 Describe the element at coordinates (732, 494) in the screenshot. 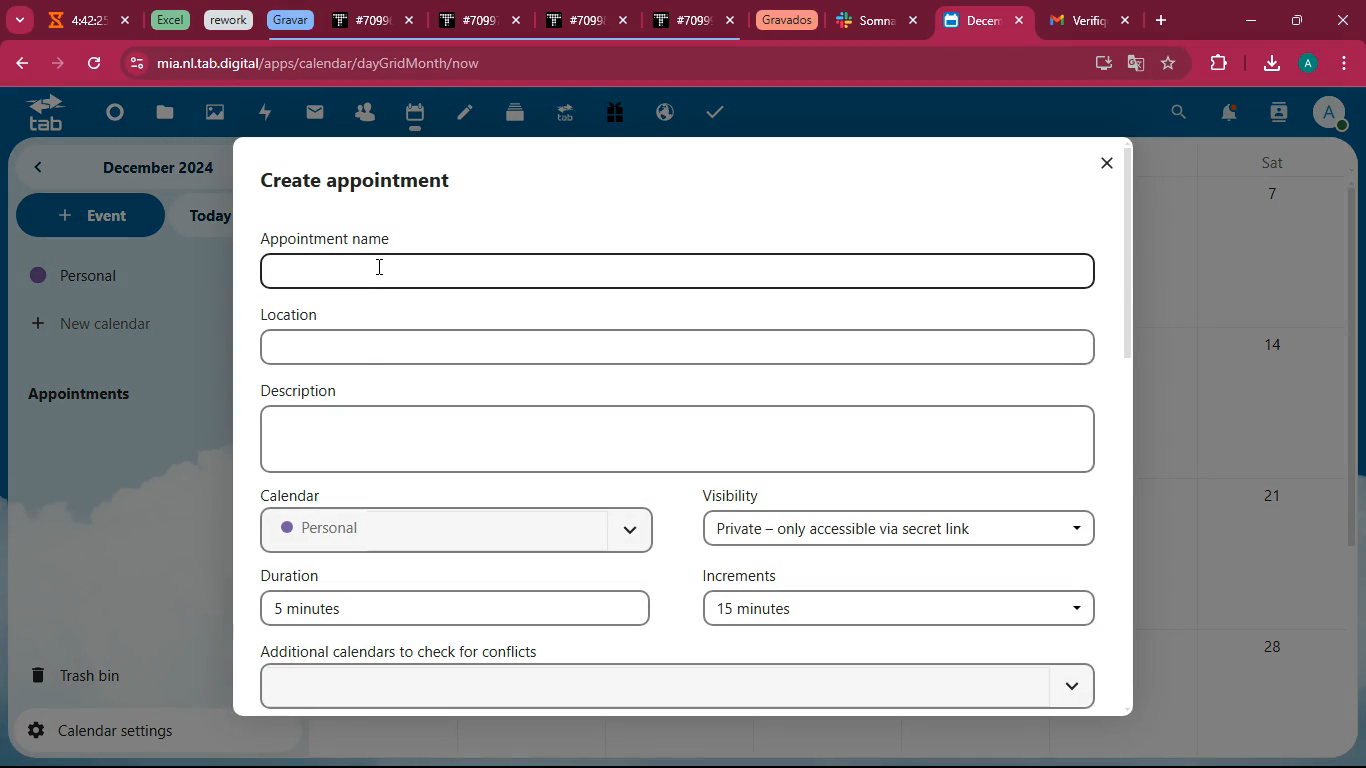

I see `visibility` at that location.